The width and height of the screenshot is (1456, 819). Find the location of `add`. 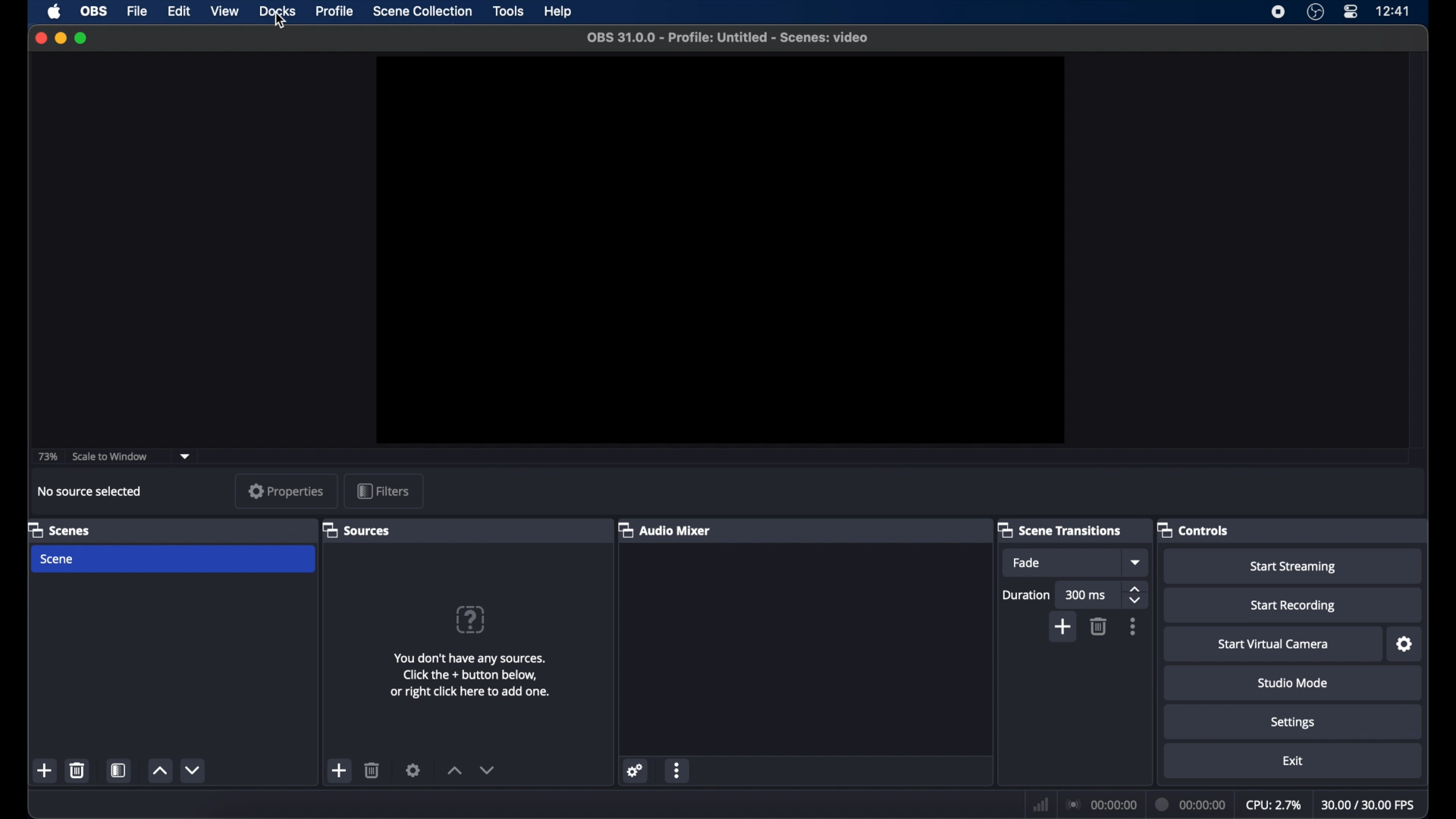

add is located at coordinates (1064, 626).